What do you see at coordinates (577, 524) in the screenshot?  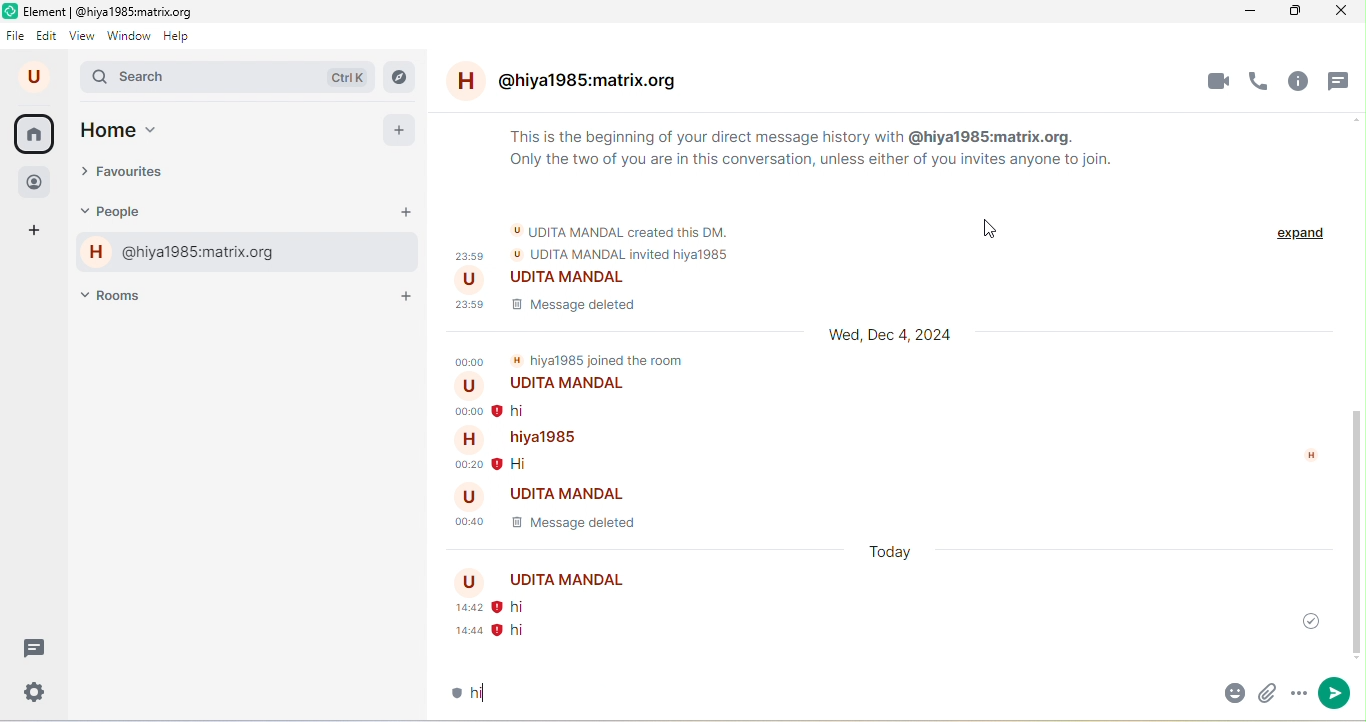 I see `message deleted` at bounding box center [577, 524].